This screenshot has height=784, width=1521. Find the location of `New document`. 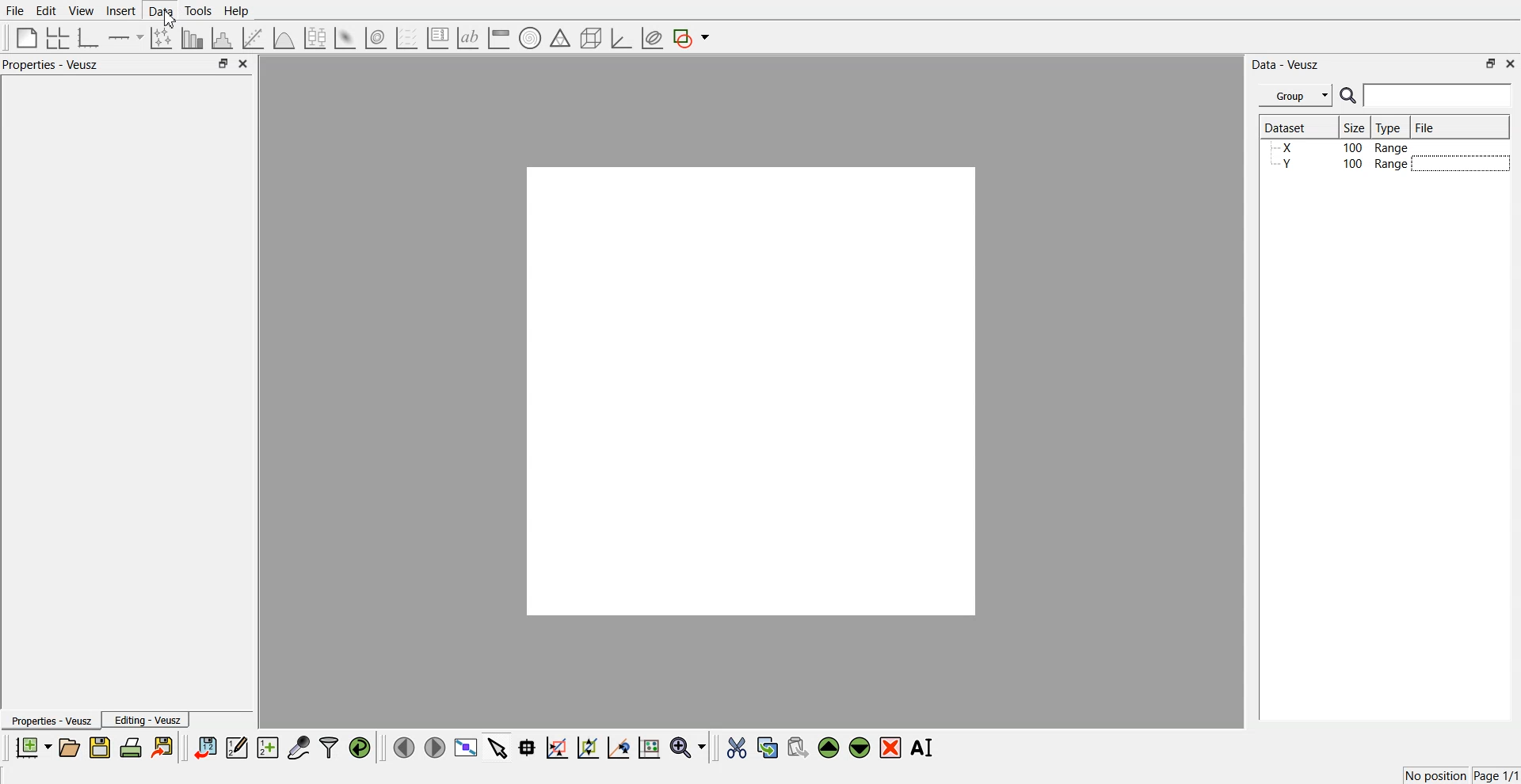

New document is located at coordinates (32, 747).